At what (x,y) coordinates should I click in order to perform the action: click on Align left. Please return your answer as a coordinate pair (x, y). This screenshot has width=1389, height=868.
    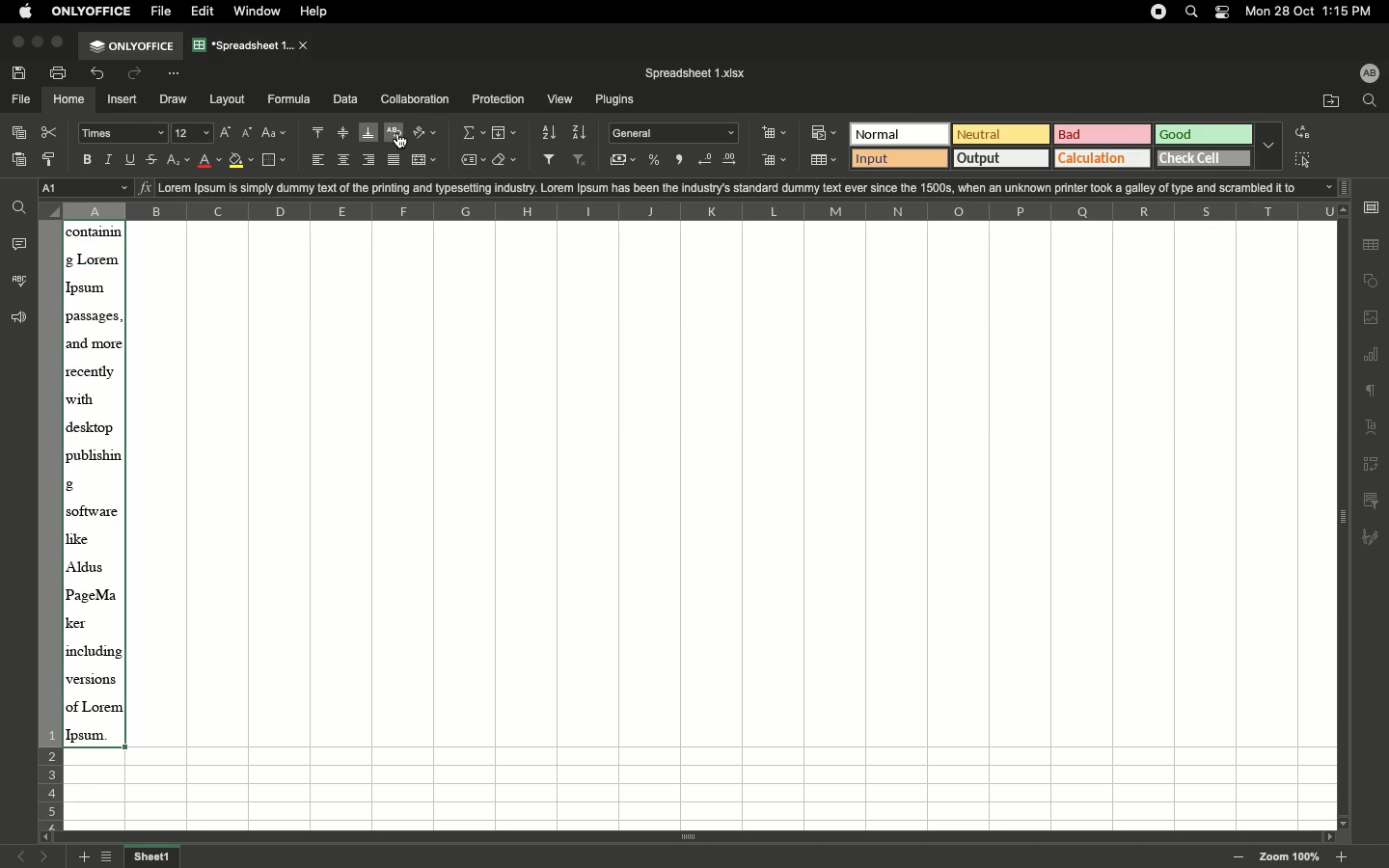
    Looking at the image, I should click on (319, 161).